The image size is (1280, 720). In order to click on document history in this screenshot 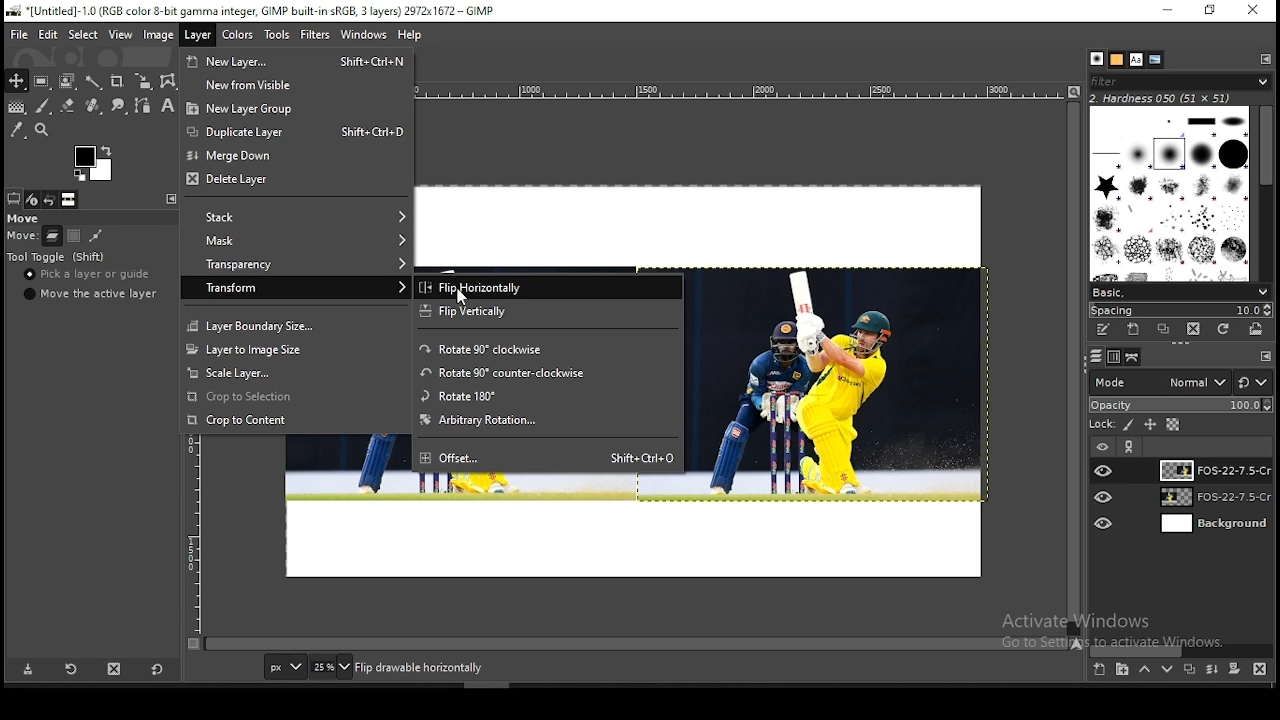, I will do `click(1156, 60)`.